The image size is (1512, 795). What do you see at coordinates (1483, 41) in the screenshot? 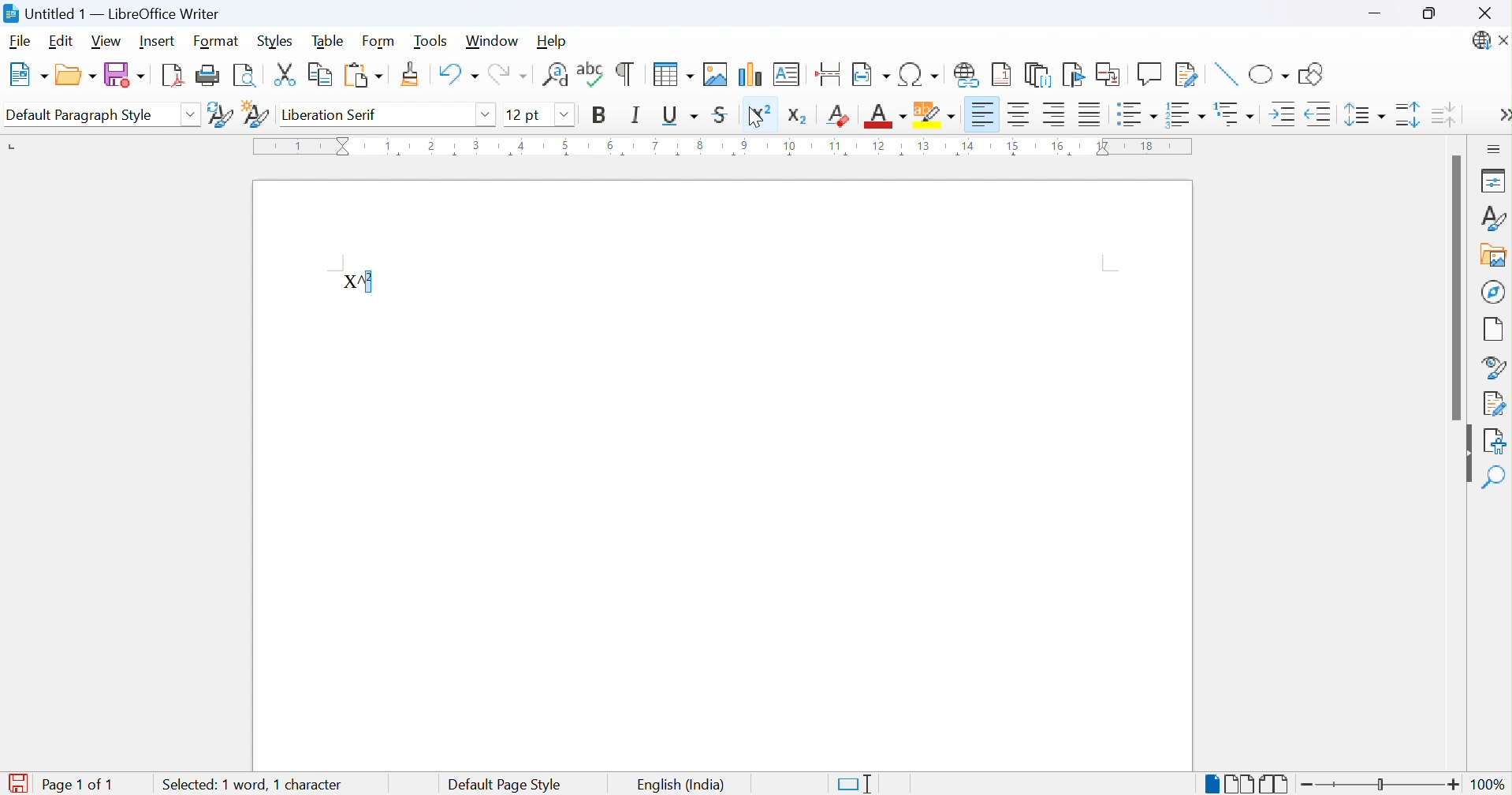
I see `LibreOffice update available` at bounding box center [1483, 41].